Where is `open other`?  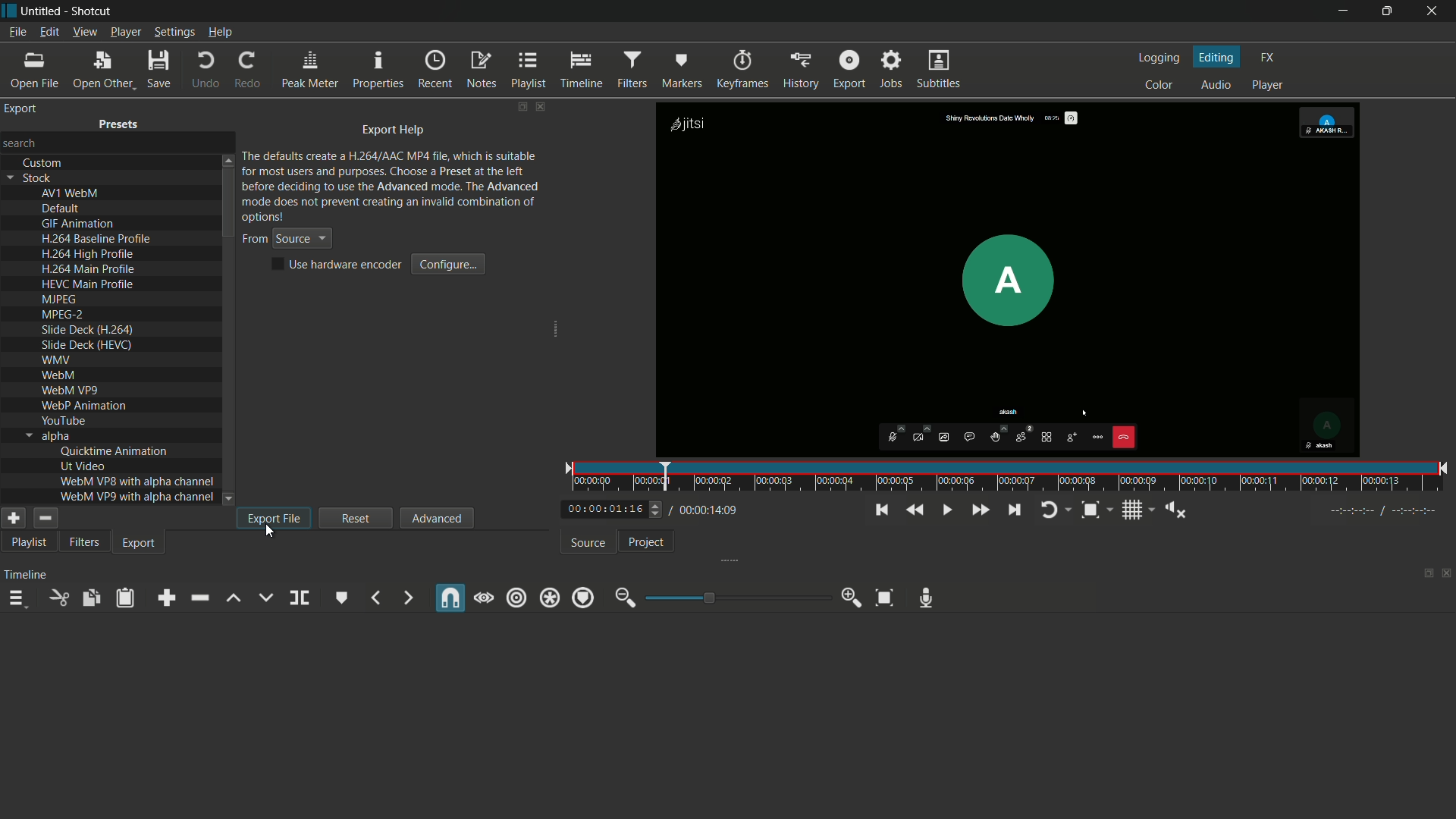
open other is located at coordinates (102, 70).